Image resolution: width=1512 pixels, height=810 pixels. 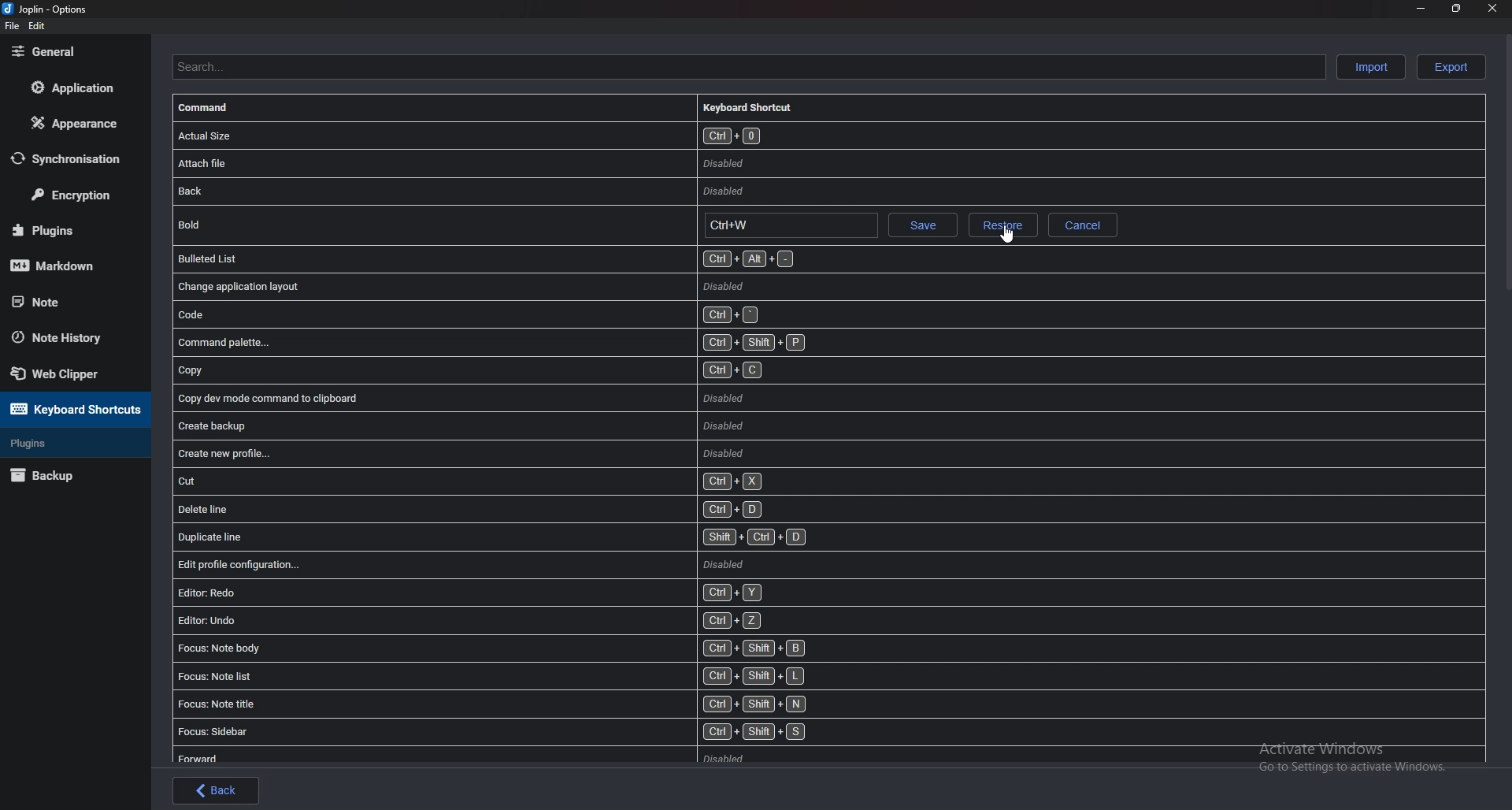 I want to click on Close, so click(x=1491, y=9).